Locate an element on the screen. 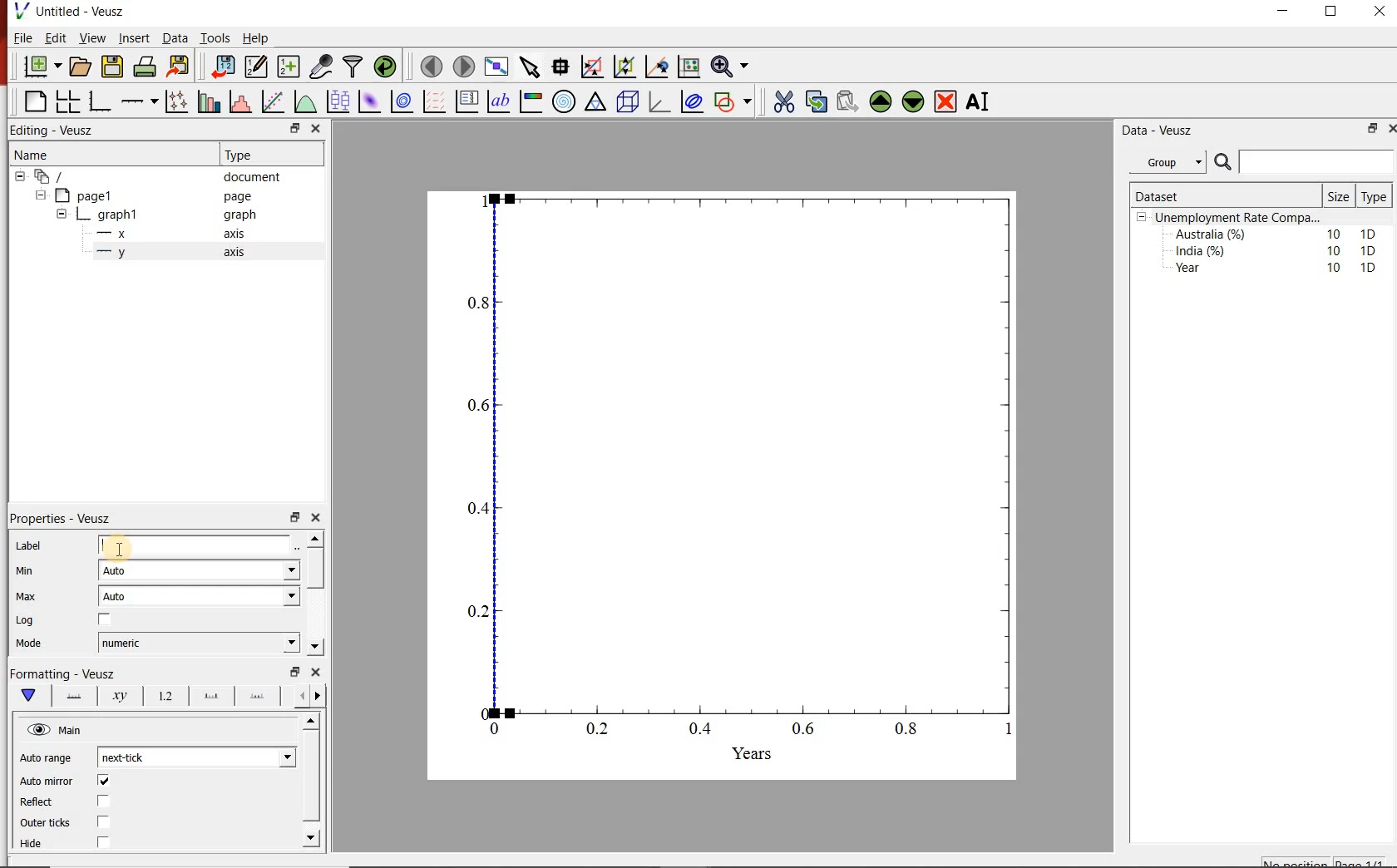 This screenshot has height=868, width=1397. numeric is located at coordinates (200, 643).